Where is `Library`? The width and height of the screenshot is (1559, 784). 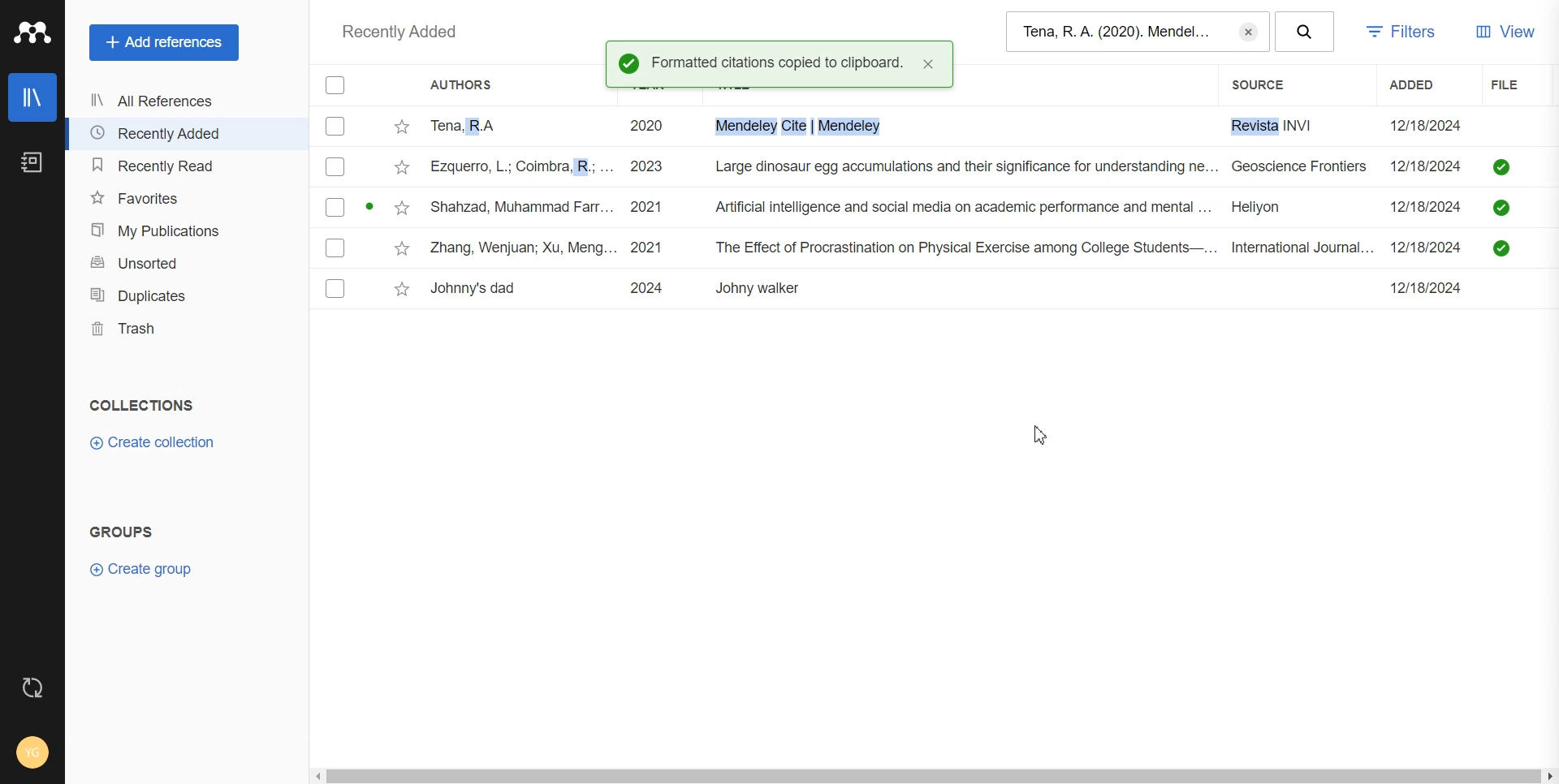
Library is located at coordinates (33, 97).